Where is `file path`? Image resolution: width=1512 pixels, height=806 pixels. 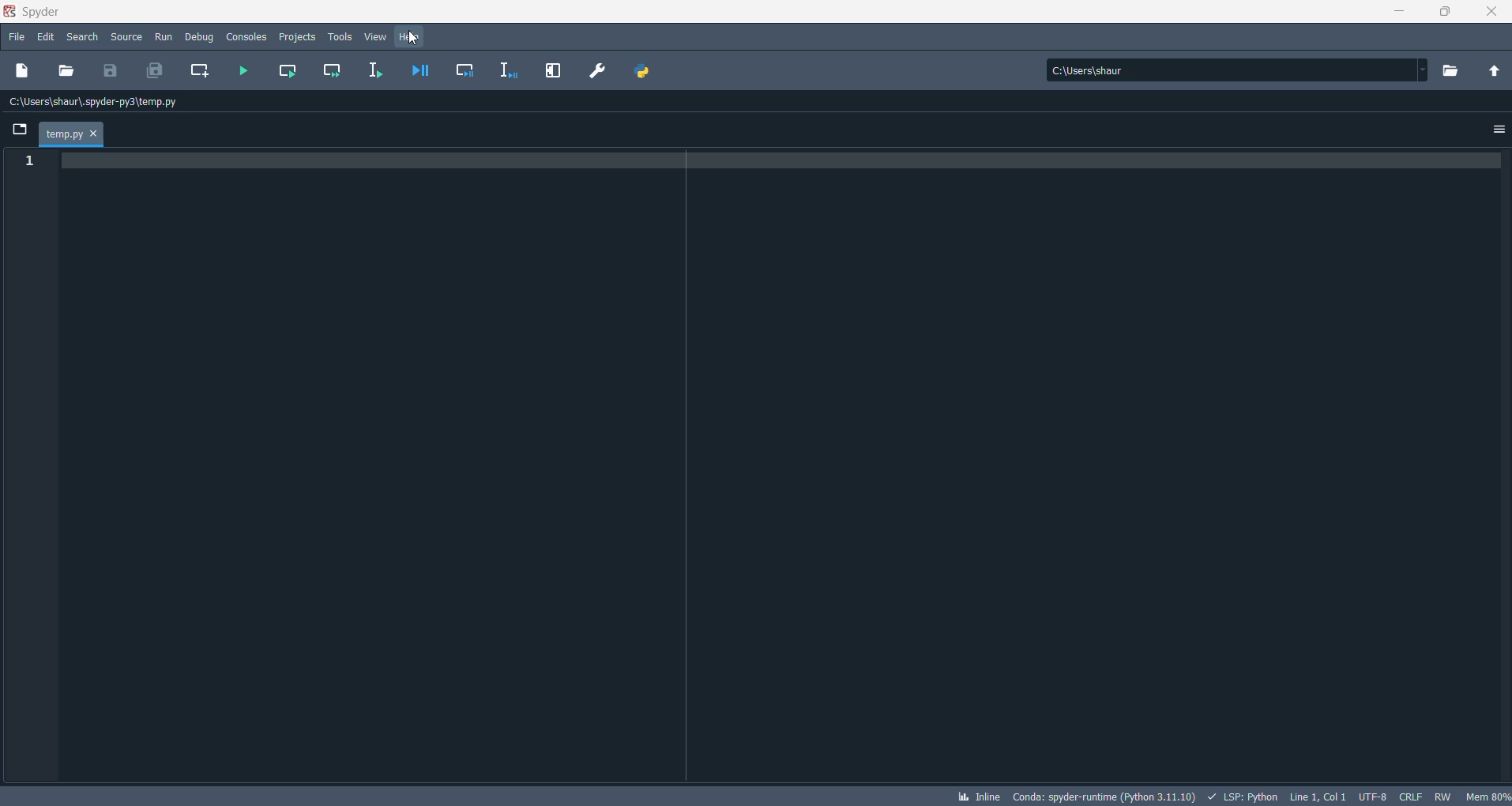
file path is located at coordinates (100, 103).